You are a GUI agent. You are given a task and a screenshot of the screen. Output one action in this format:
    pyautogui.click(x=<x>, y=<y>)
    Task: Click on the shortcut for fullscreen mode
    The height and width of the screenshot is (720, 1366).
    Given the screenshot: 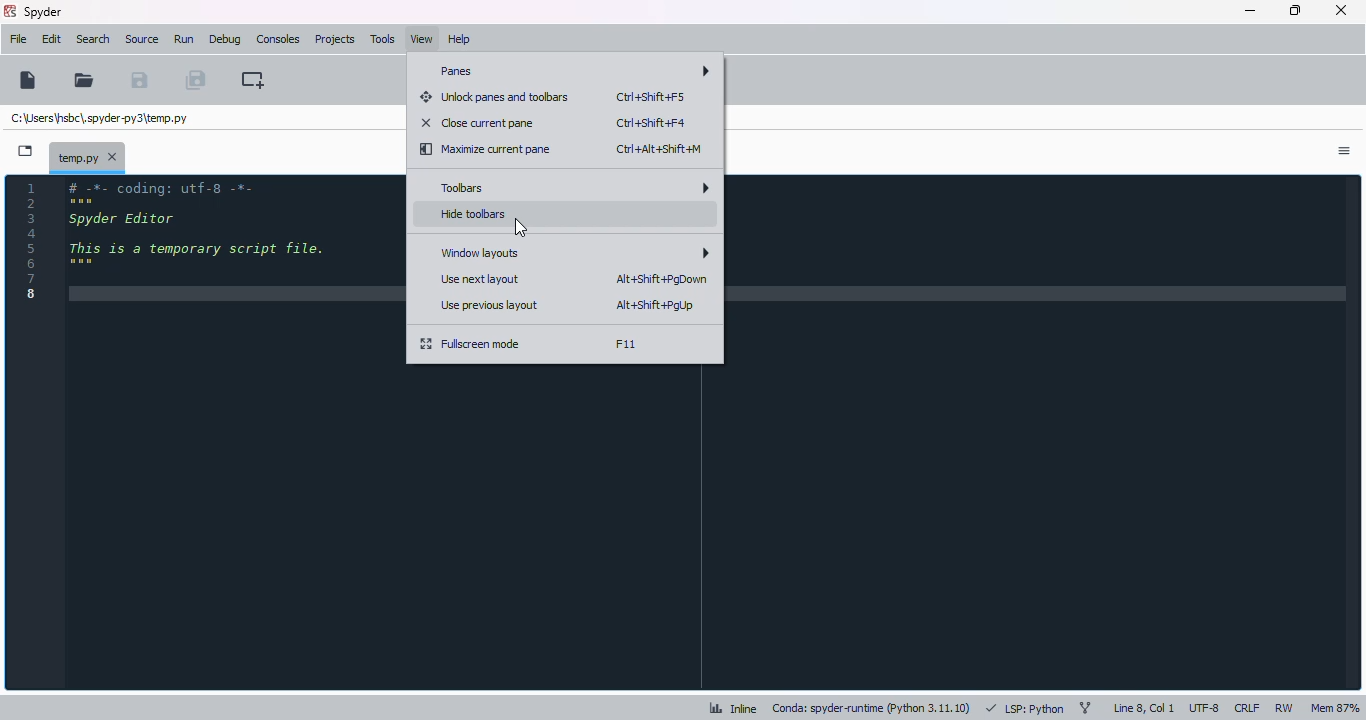 What is the action you would take?
    pyautogui.click(x=626, y=344)
    